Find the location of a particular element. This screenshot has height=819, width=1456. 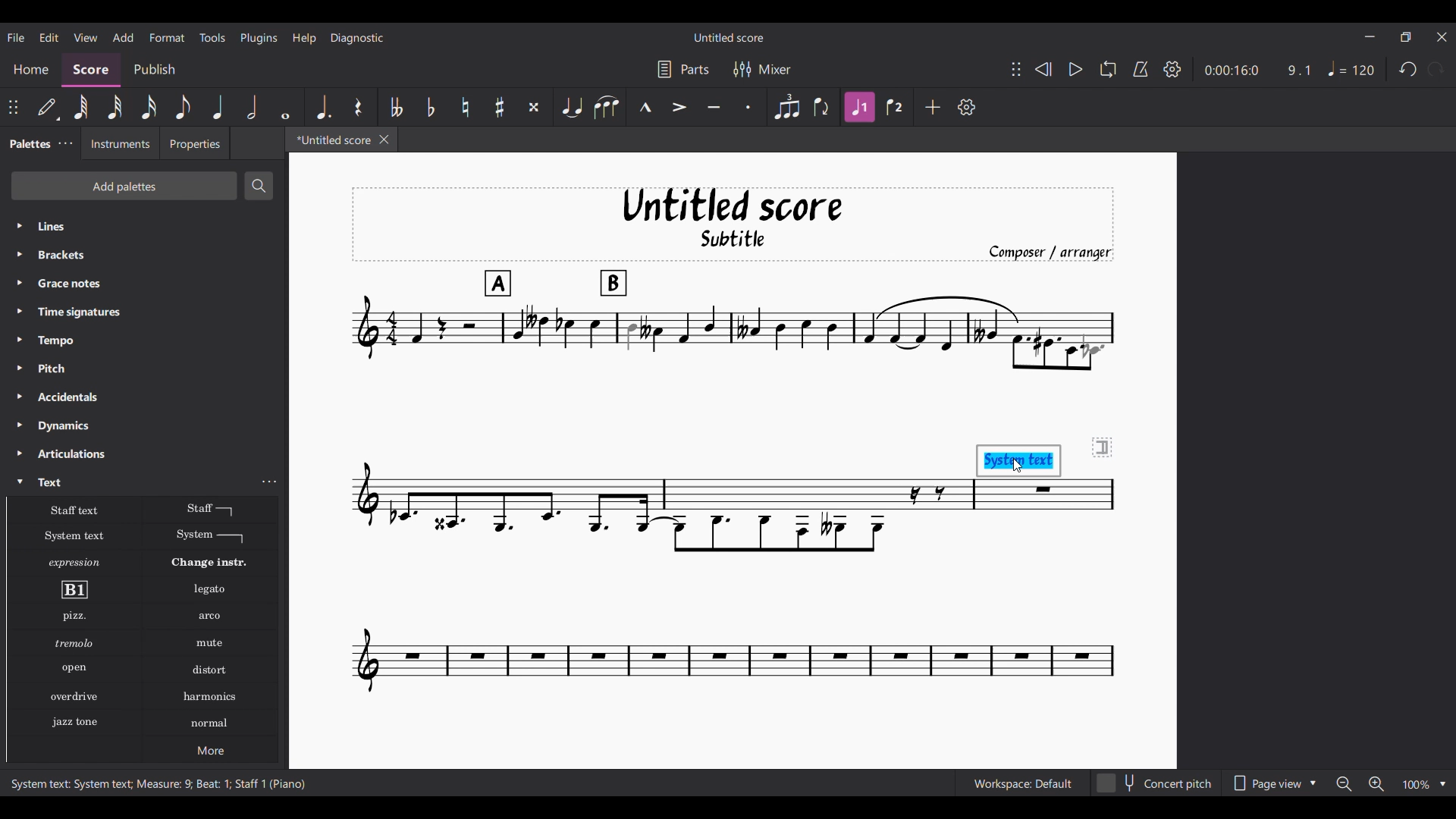

Toggle double sharp is located at coordinates (534, 107).